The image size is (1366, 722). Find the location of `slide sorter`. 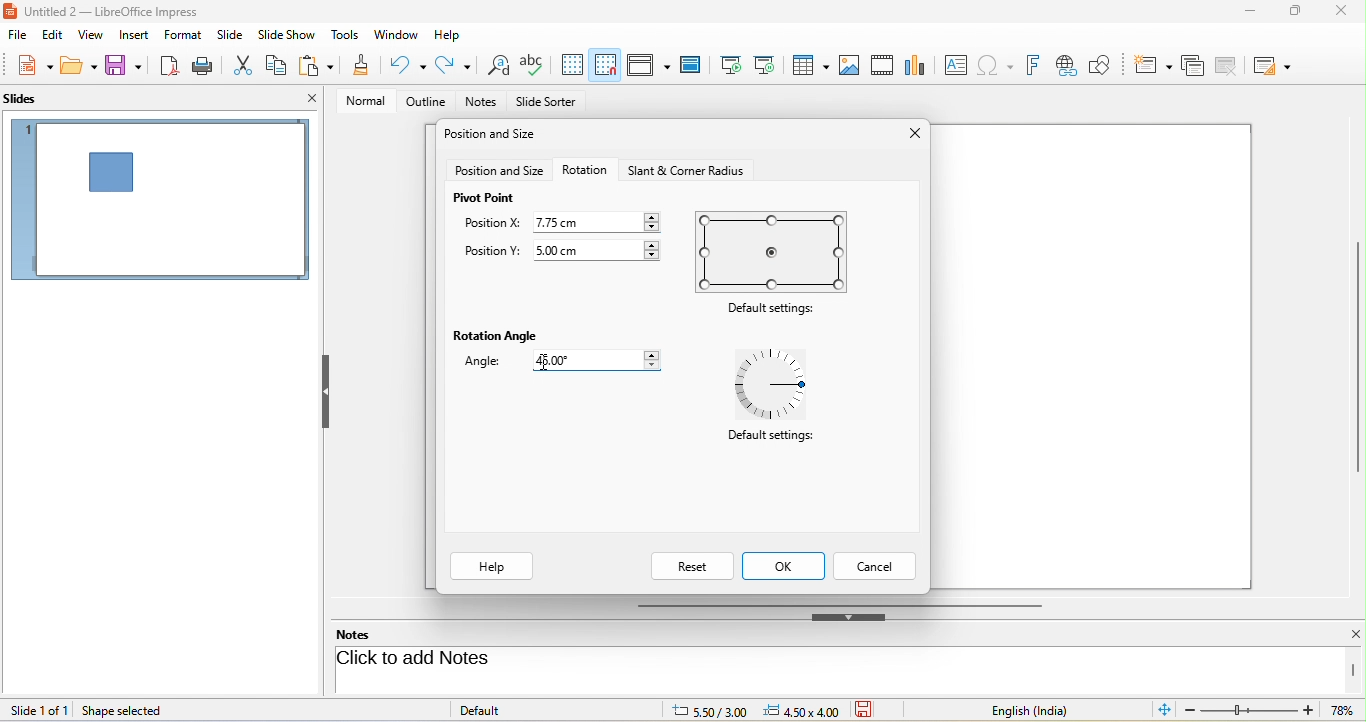

slide sorter is located at coordinates (546, 103).